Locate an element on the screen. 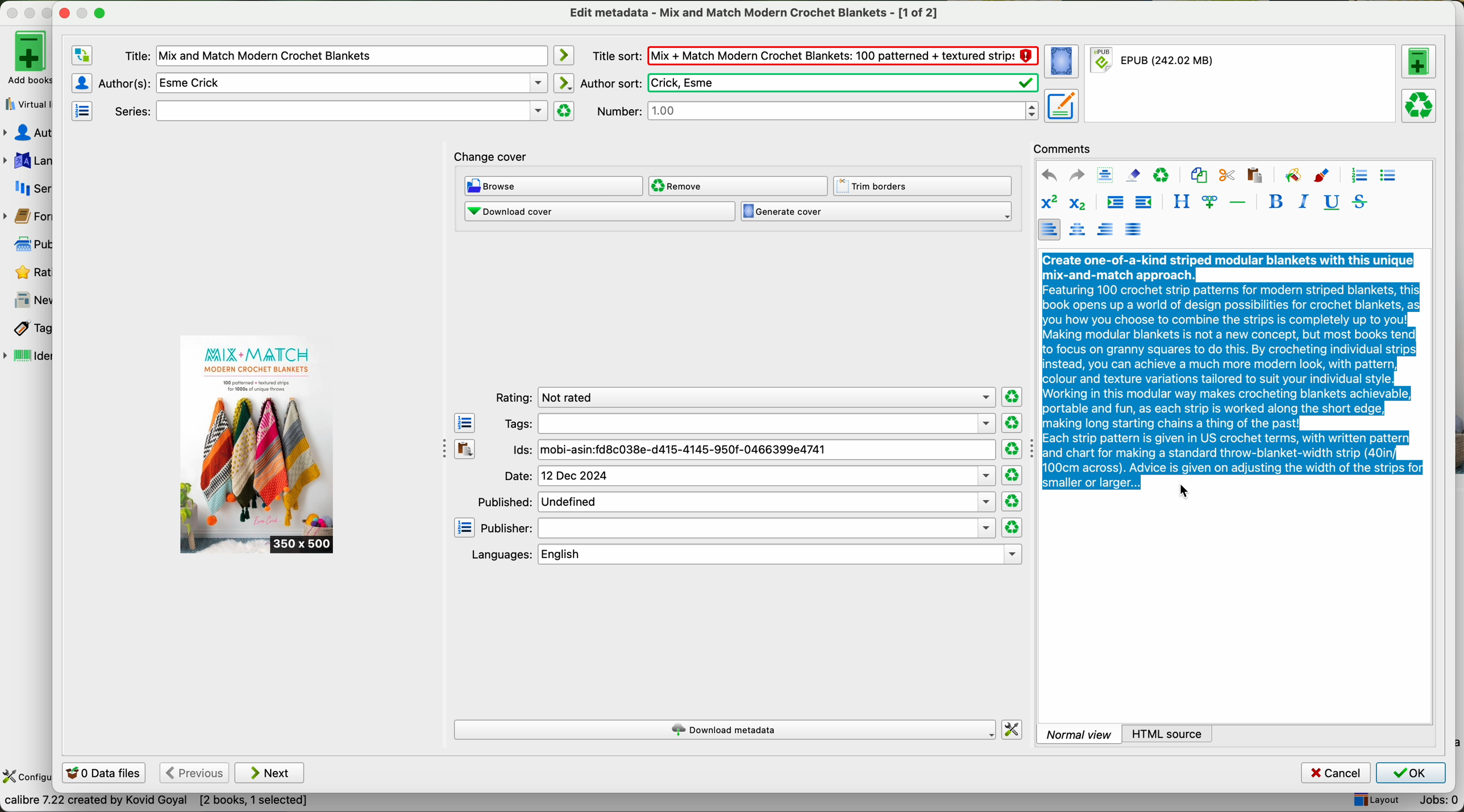 This screenshot has width=1464, height=812. insert link or image is located at coordinates (1209, 202).